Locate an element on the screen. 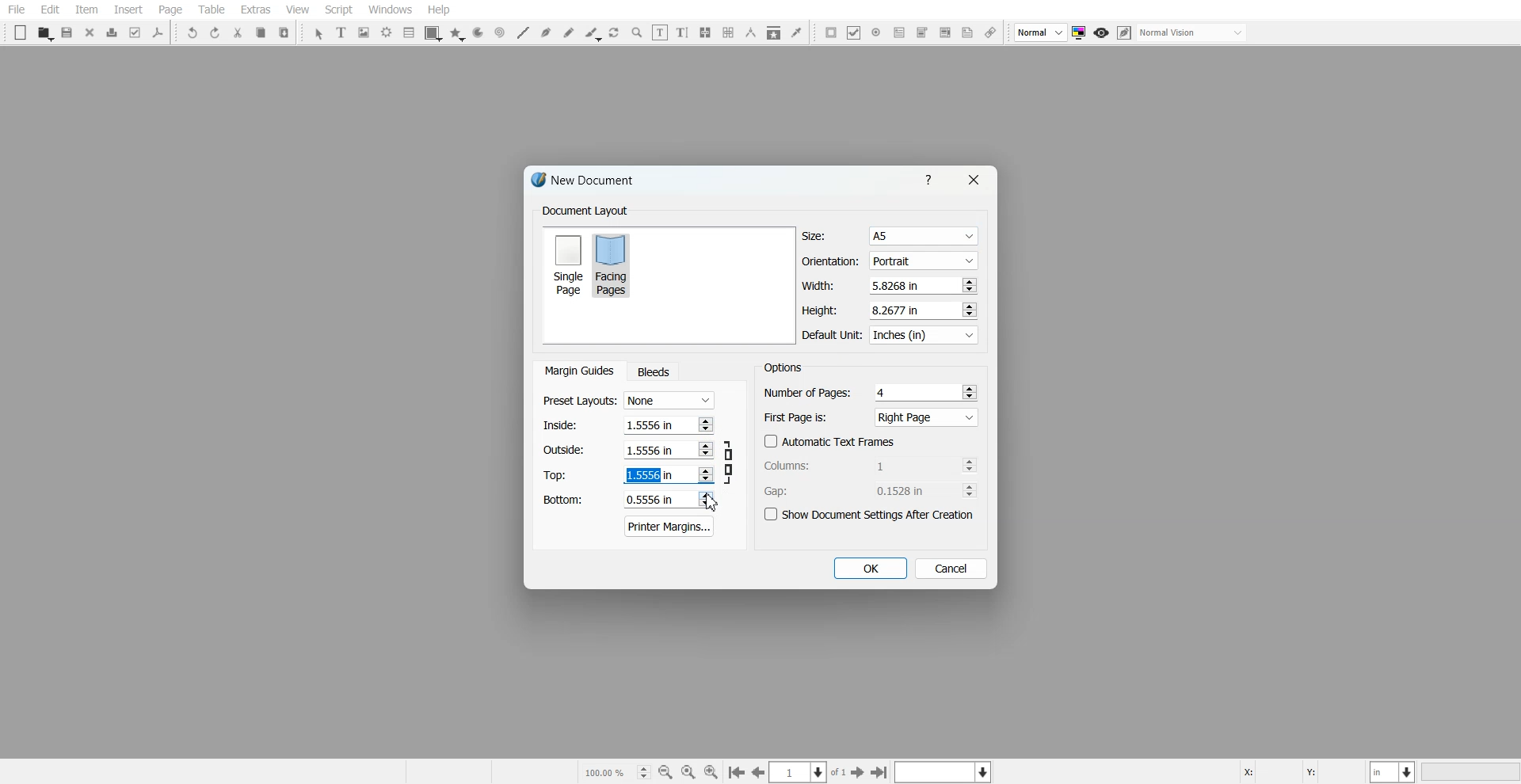 The width and height of the screenshot is (1521, 784). Unlink Text Frame is located at coordinates (729, 32).